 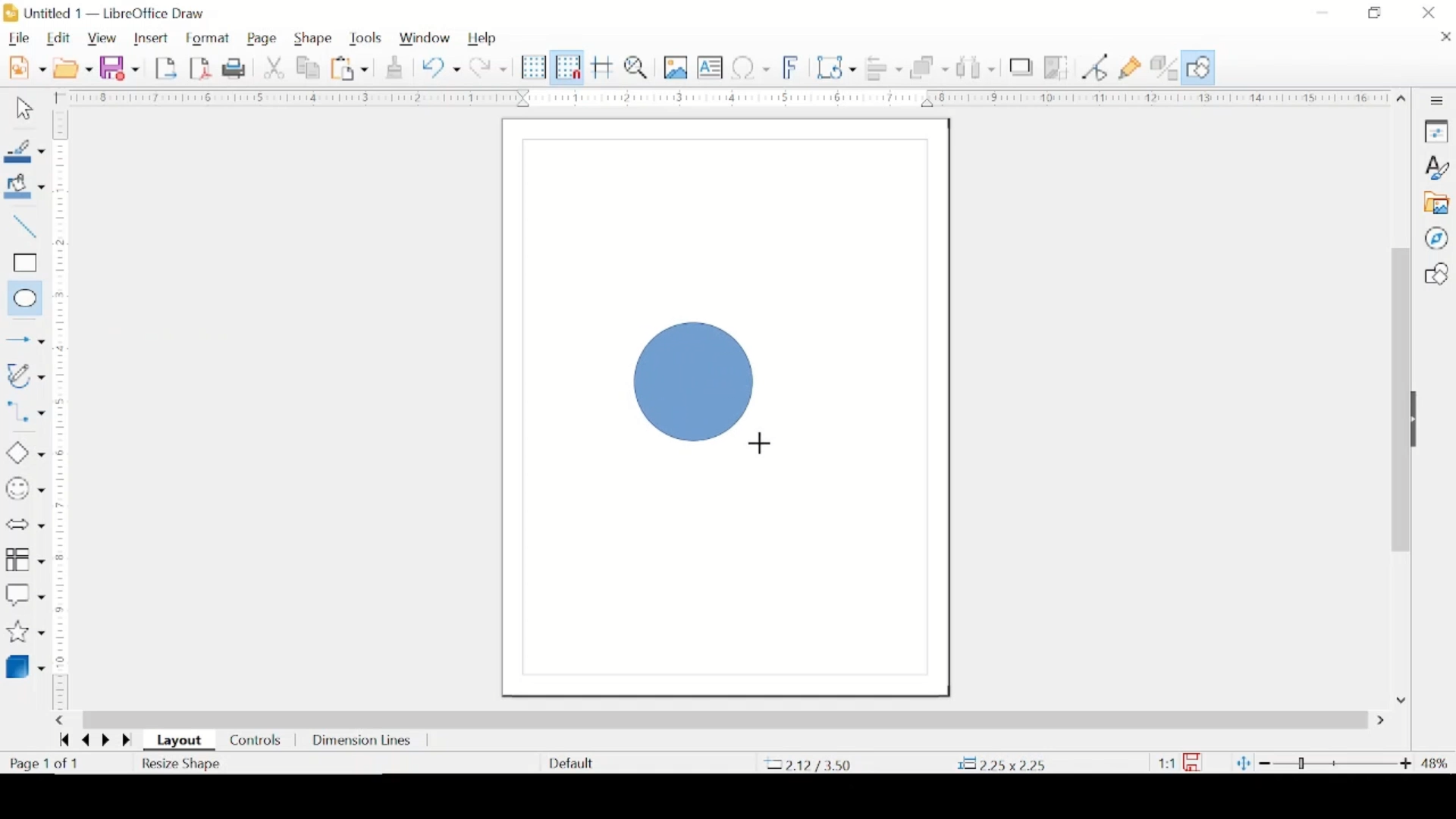 What do you see at coordinates (108, 13) in the screenshot?
I see `untitled 1 - libreoffice draw` at bounding box center [108, 13].